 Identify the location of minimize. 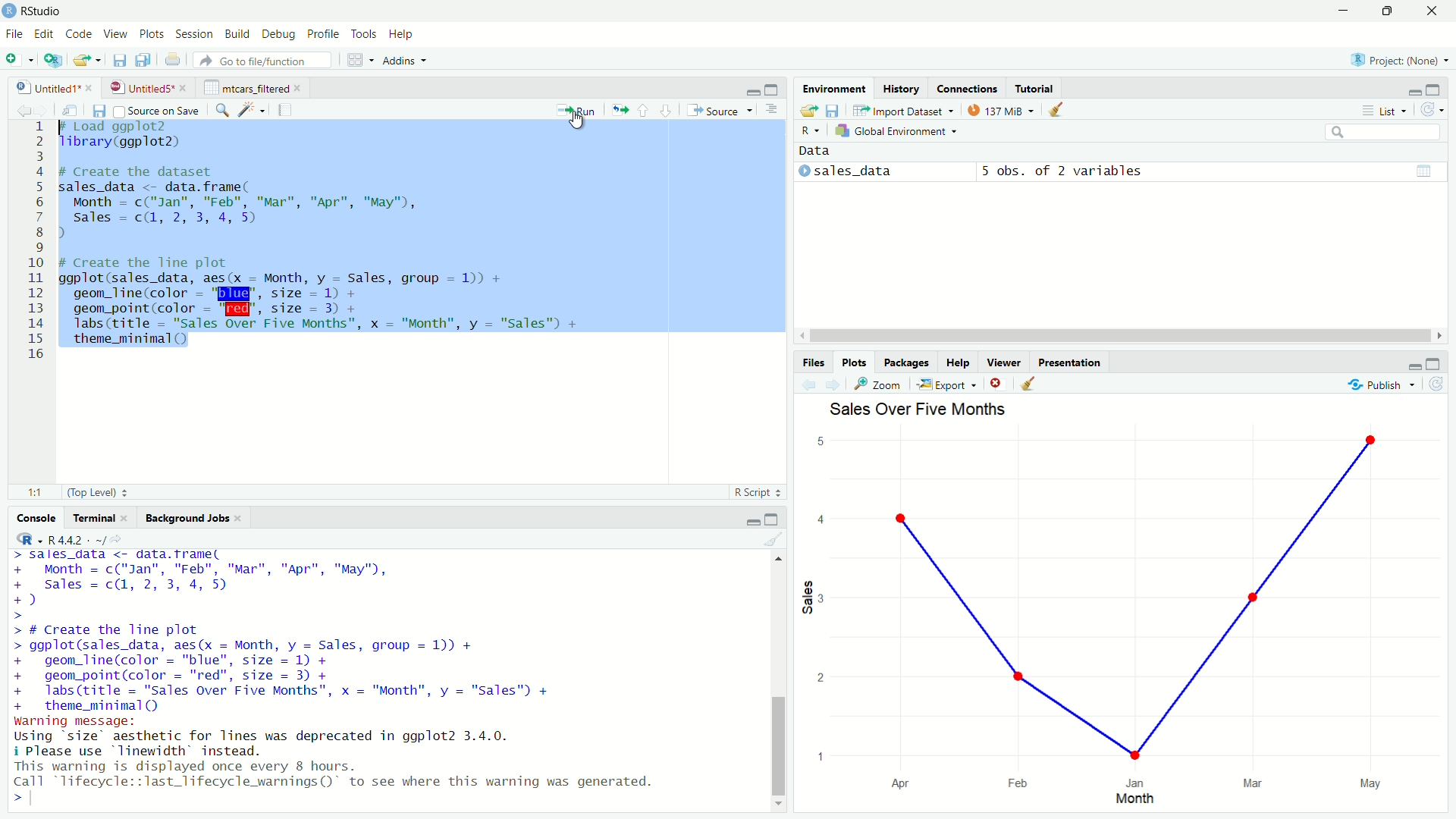
(1413, 366).